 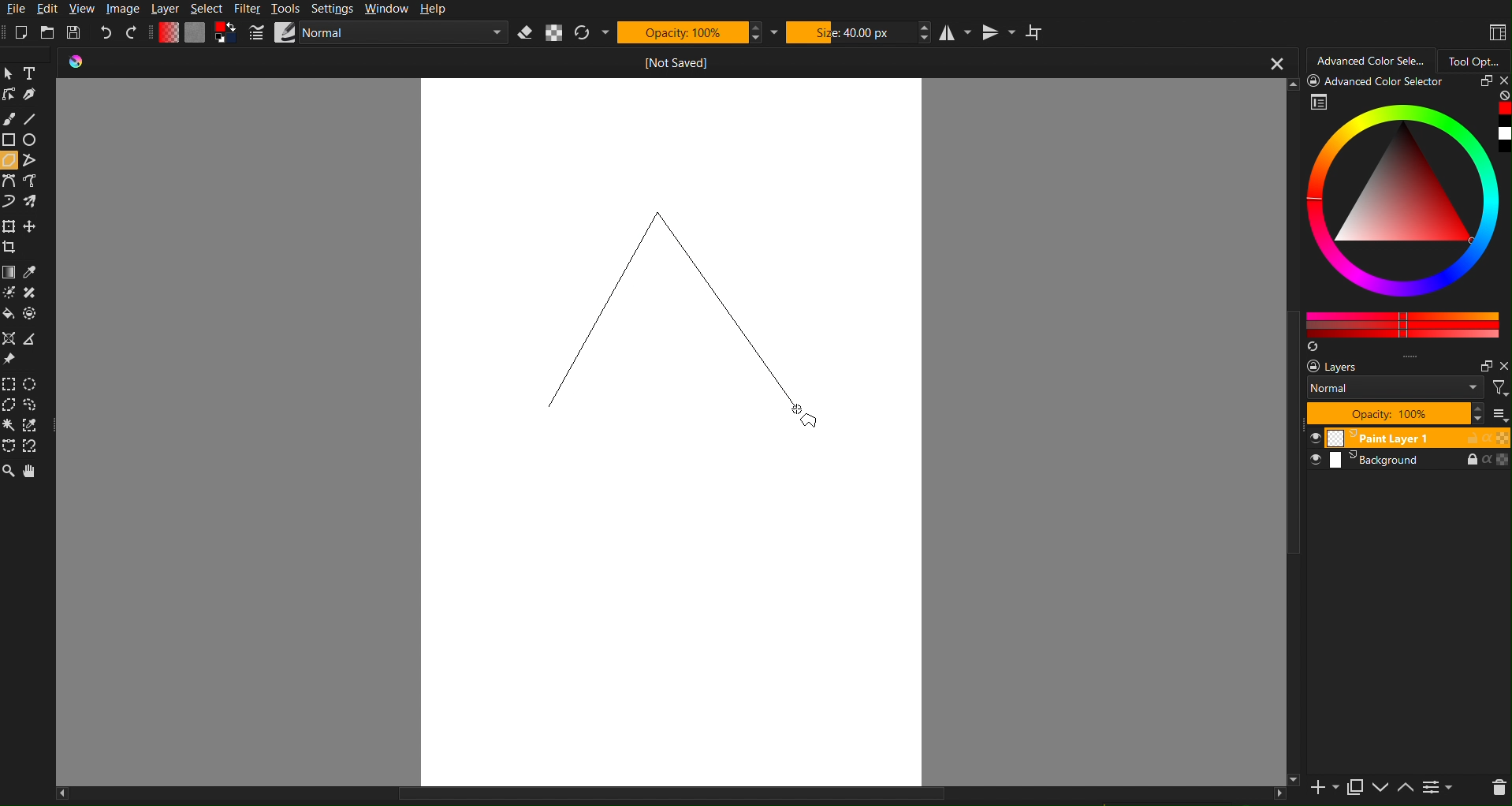 I want to click on Undo, so click(x=106, y=33).